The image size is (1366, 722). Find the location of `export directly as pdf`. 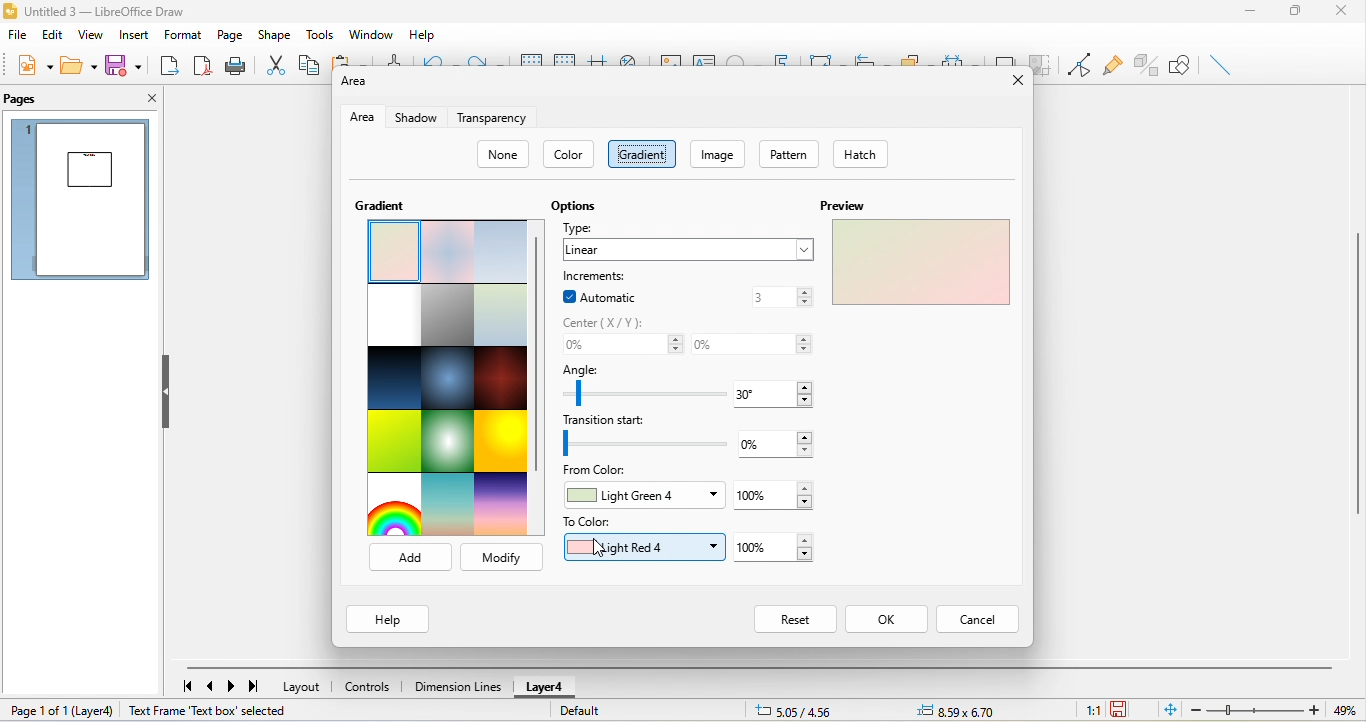

export directly as pdf is located at coordinates (204, 68).